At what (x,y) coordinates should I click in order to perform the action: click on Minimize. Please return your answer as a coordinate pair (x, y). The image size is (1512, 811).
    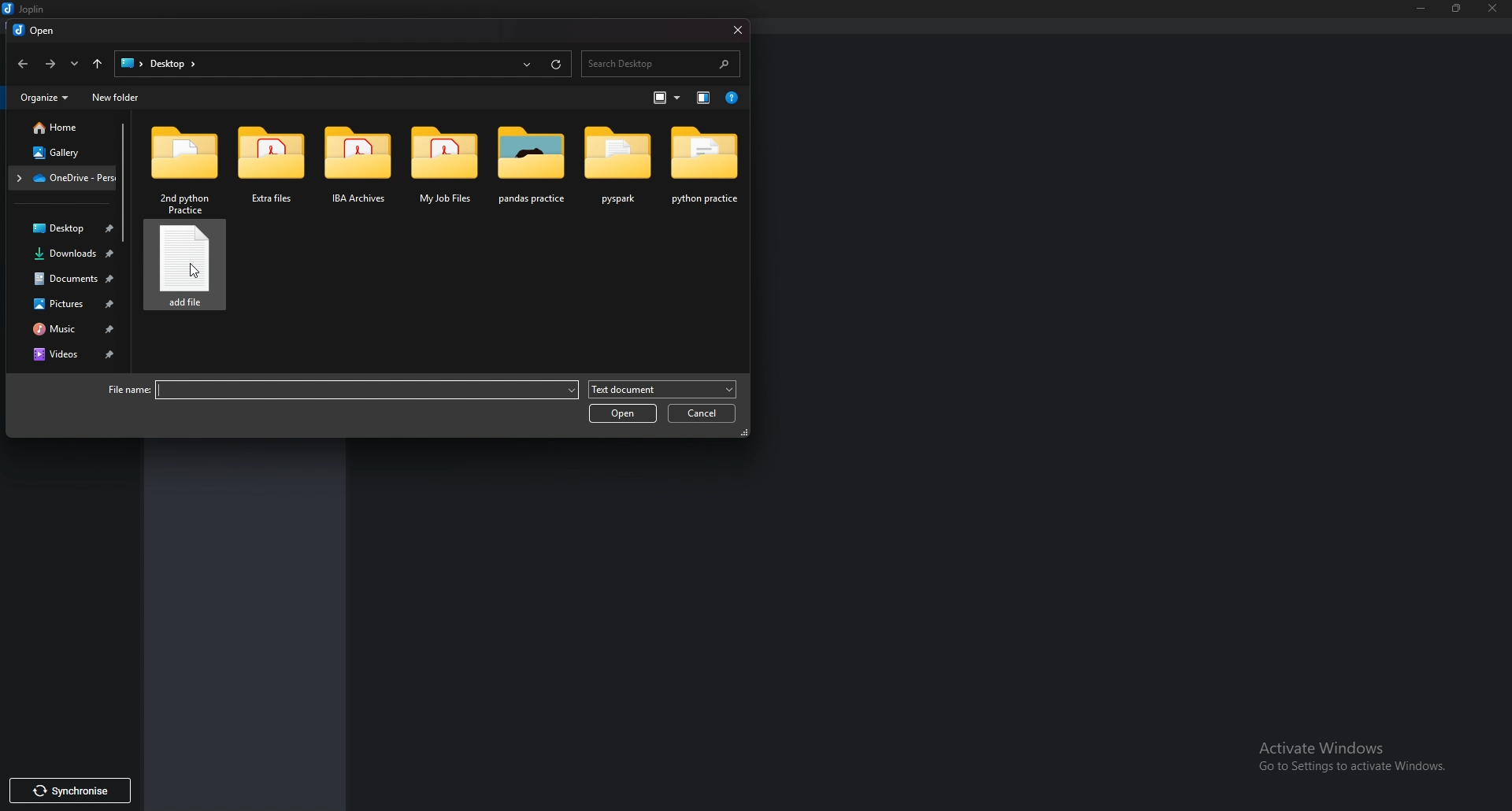
    Looking at the image, I should click on (1424, 7).